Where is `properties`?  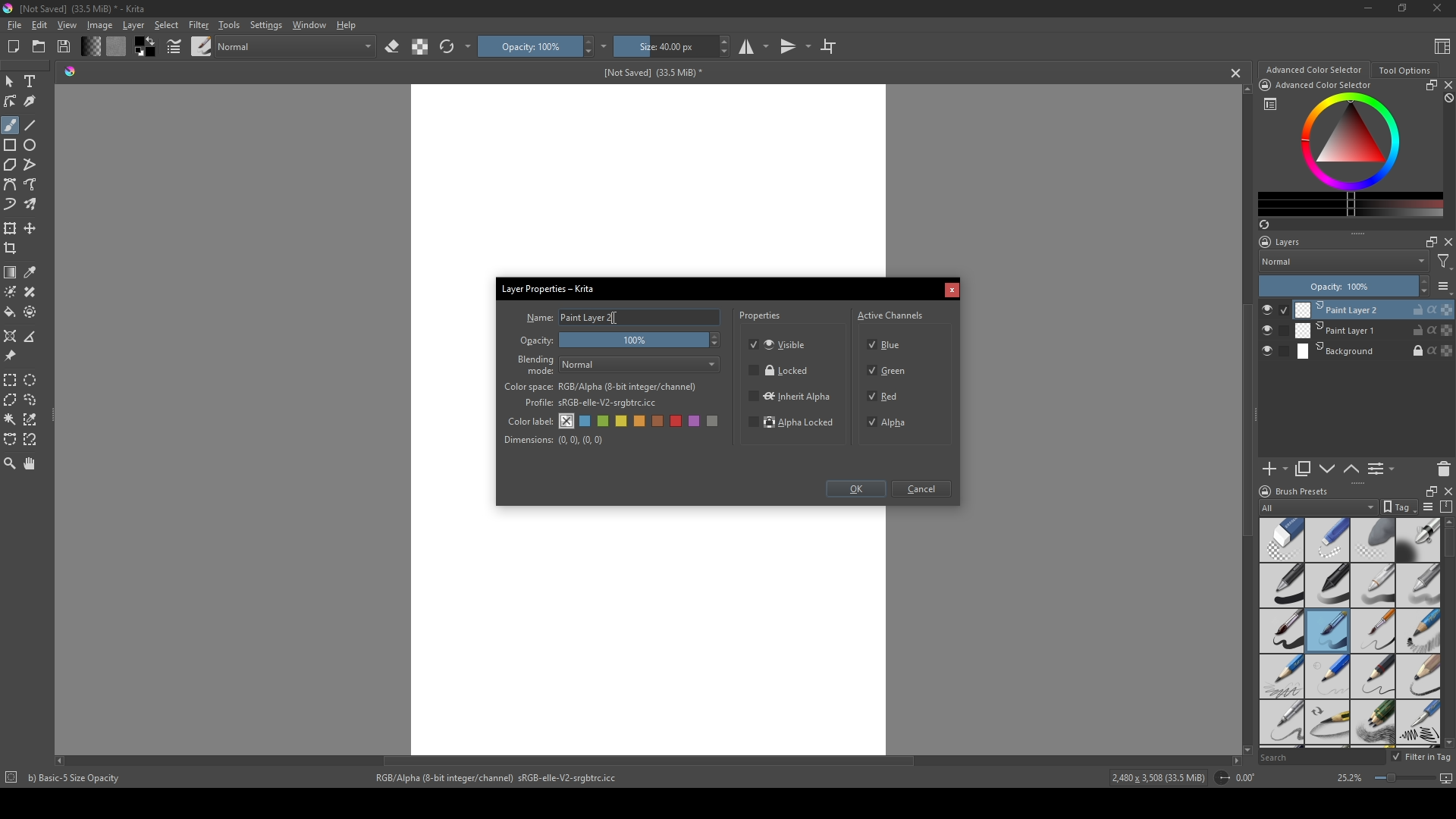
properties is located at coordinates (761, 318).